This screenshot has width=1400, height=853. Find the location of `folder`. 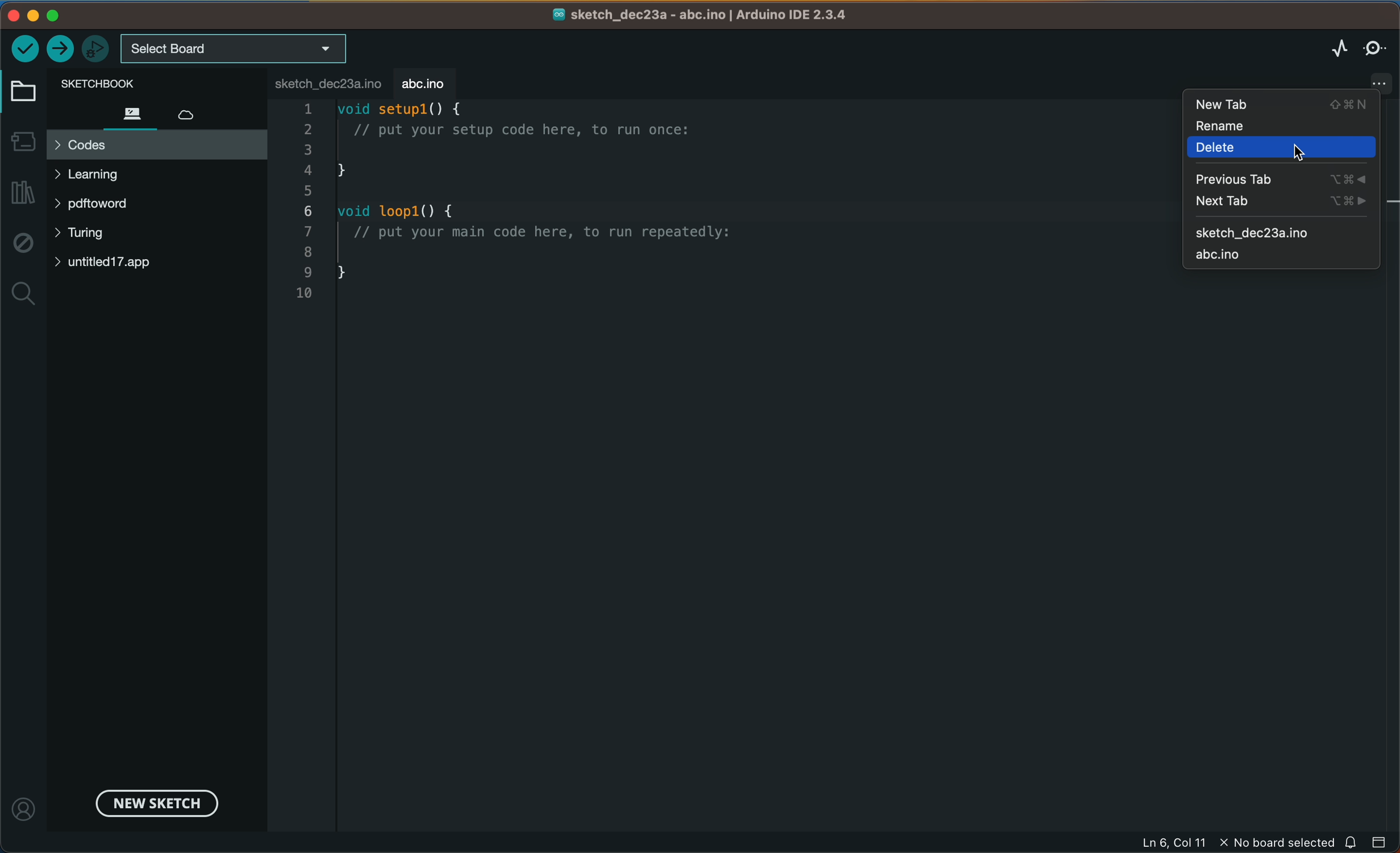

folder is located at coordinates (26, 91).